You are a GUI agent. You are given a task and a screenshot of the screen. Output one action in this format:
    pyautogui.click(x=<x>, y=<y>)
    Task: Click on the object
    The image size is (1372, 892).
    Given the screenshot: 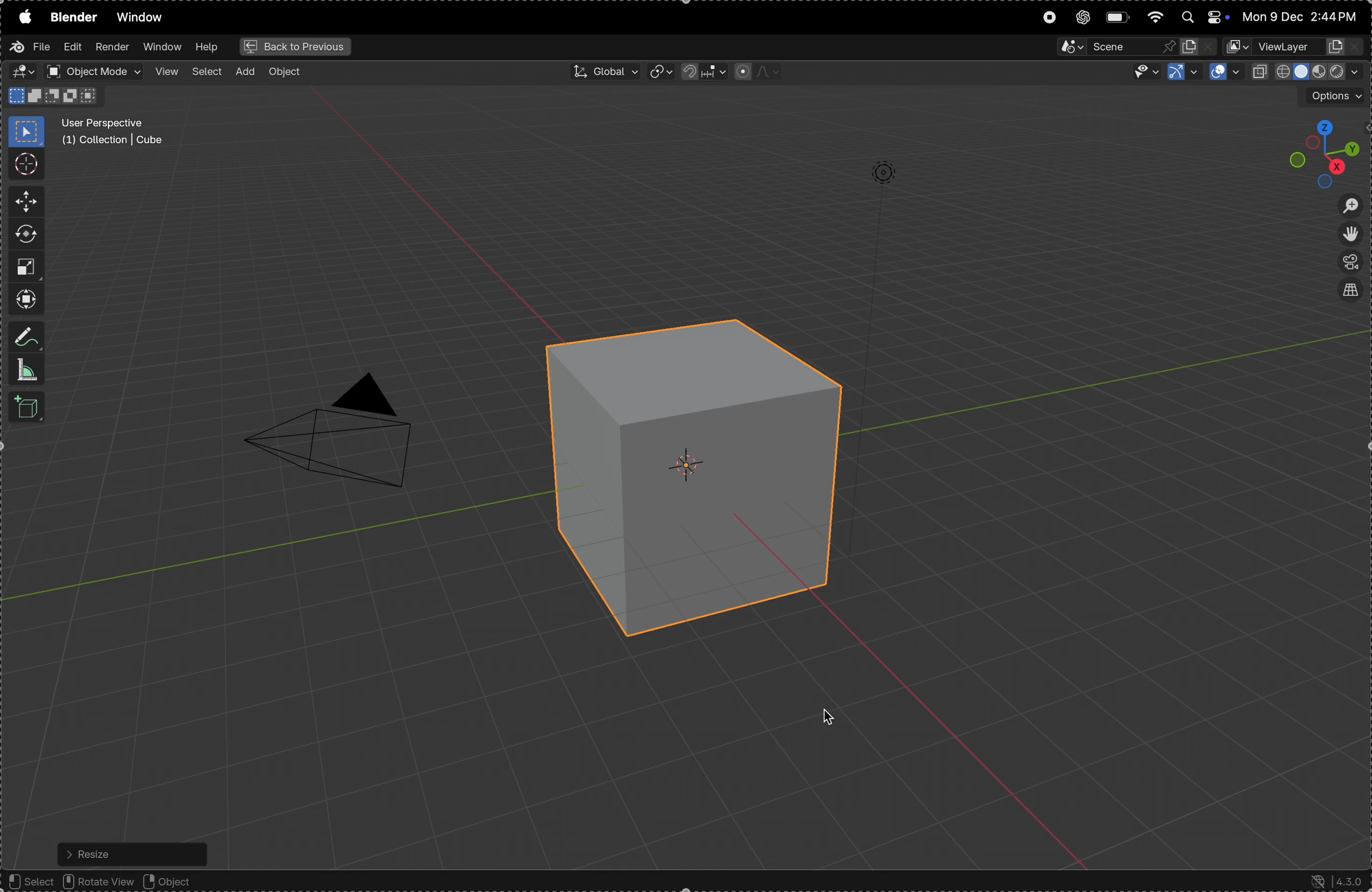 What is the action you would take?
    pyautogui.click(x=288, y=73)
    